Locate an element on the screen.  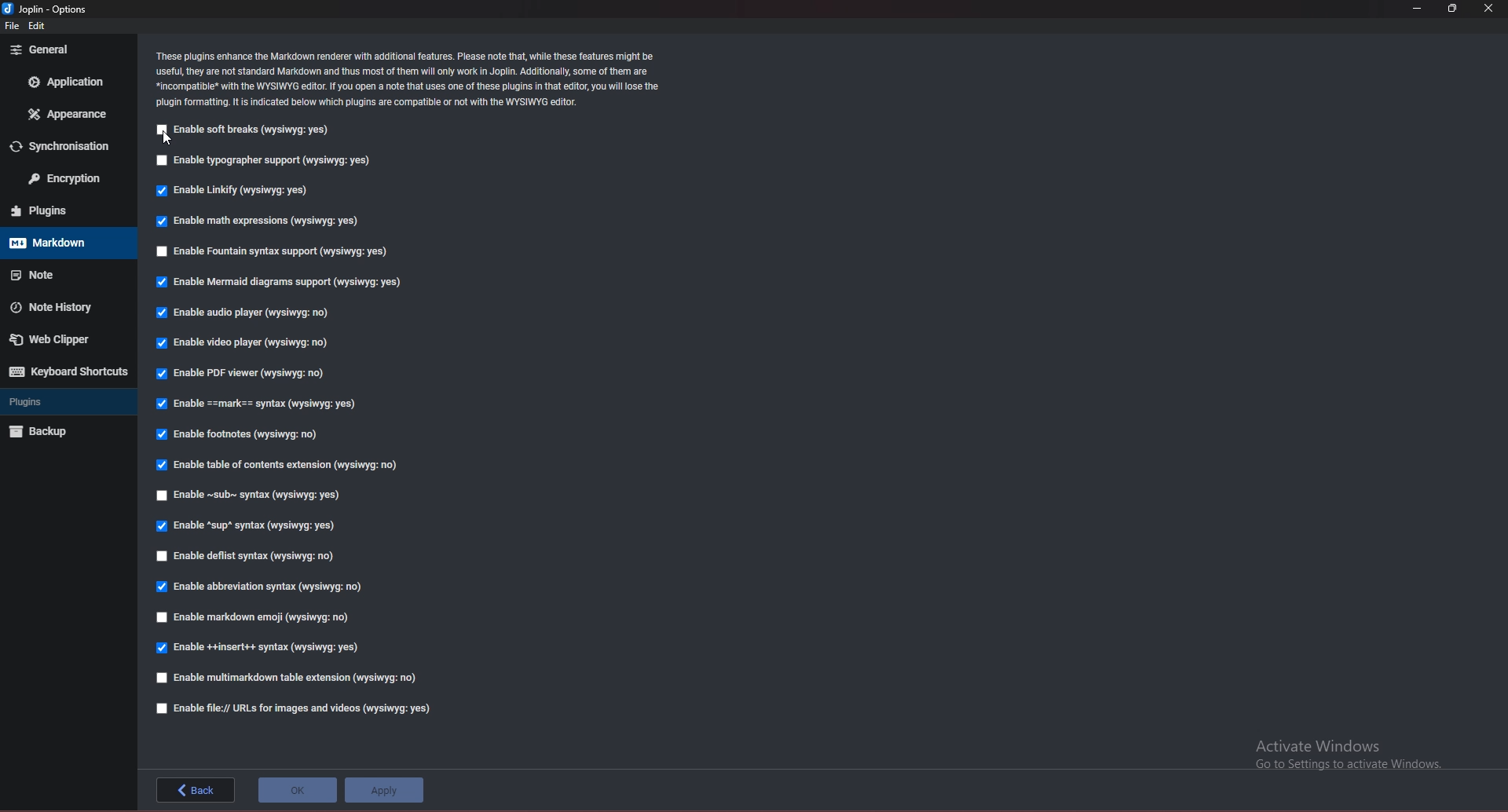
edit is located at coordinates (41, 26).